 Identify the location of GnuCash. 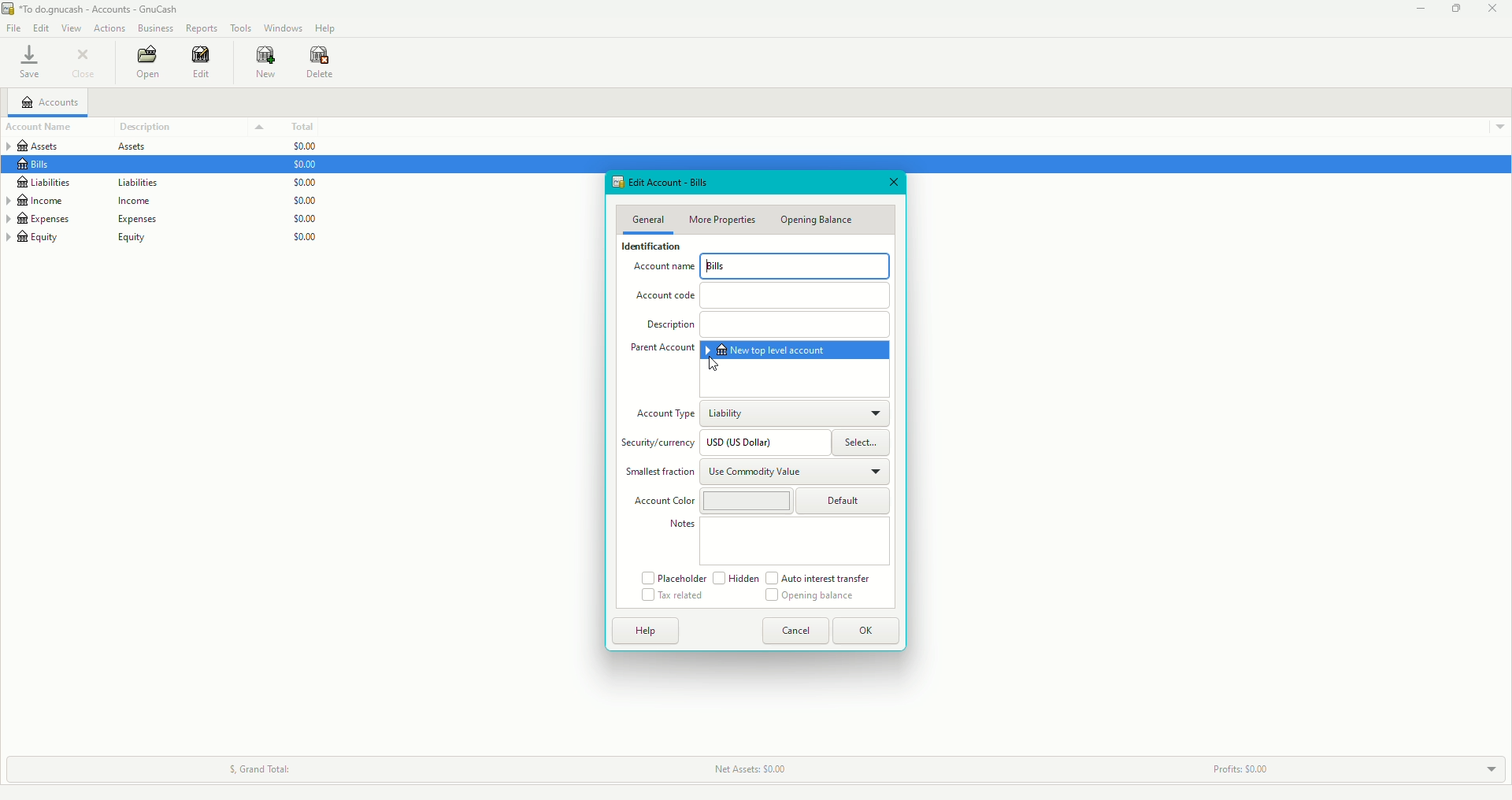
(97, 10).